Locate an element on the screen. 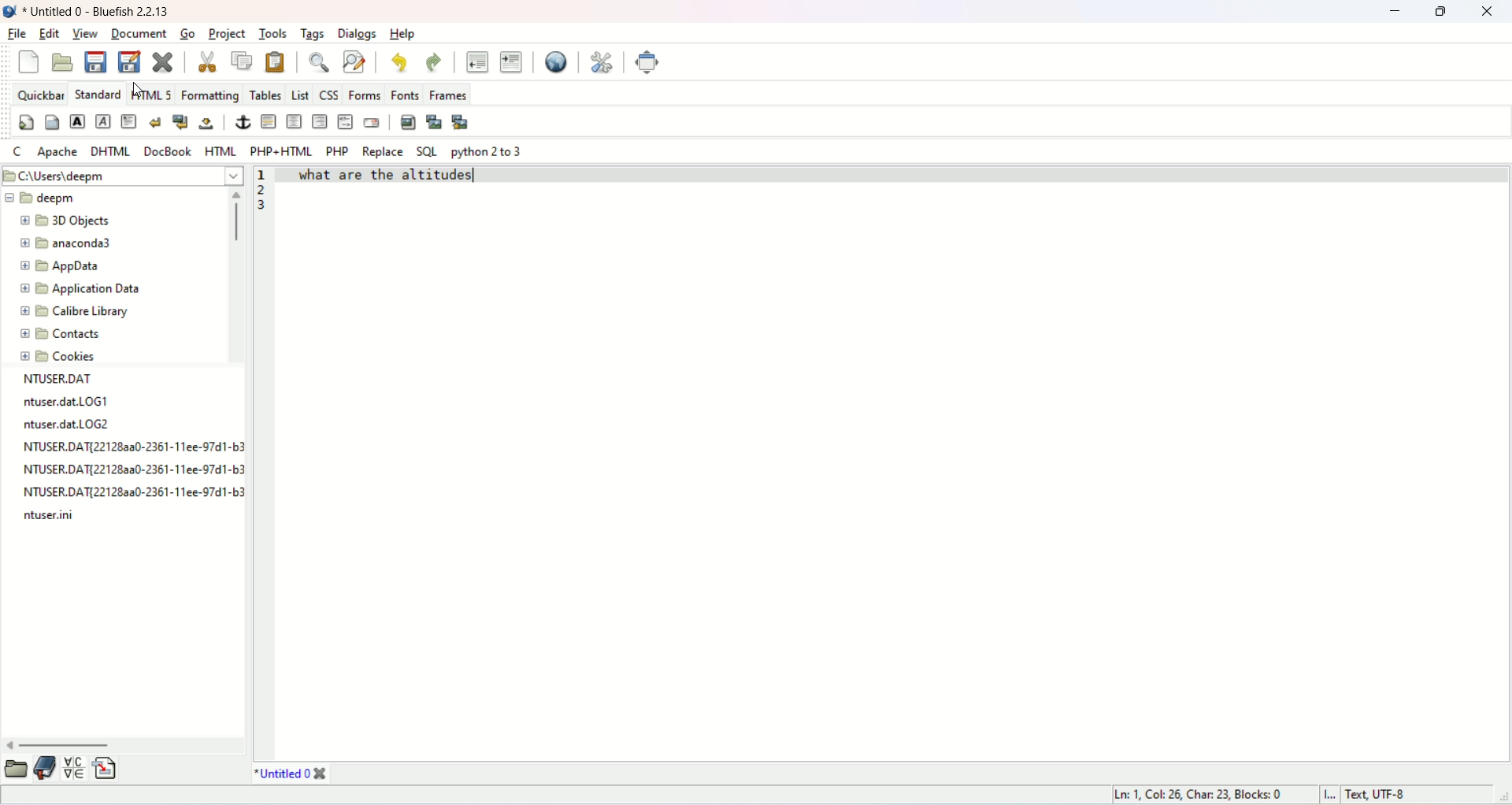 The width and height of the screenshot is (1512, 805). title is located at coordinates (292, 774).